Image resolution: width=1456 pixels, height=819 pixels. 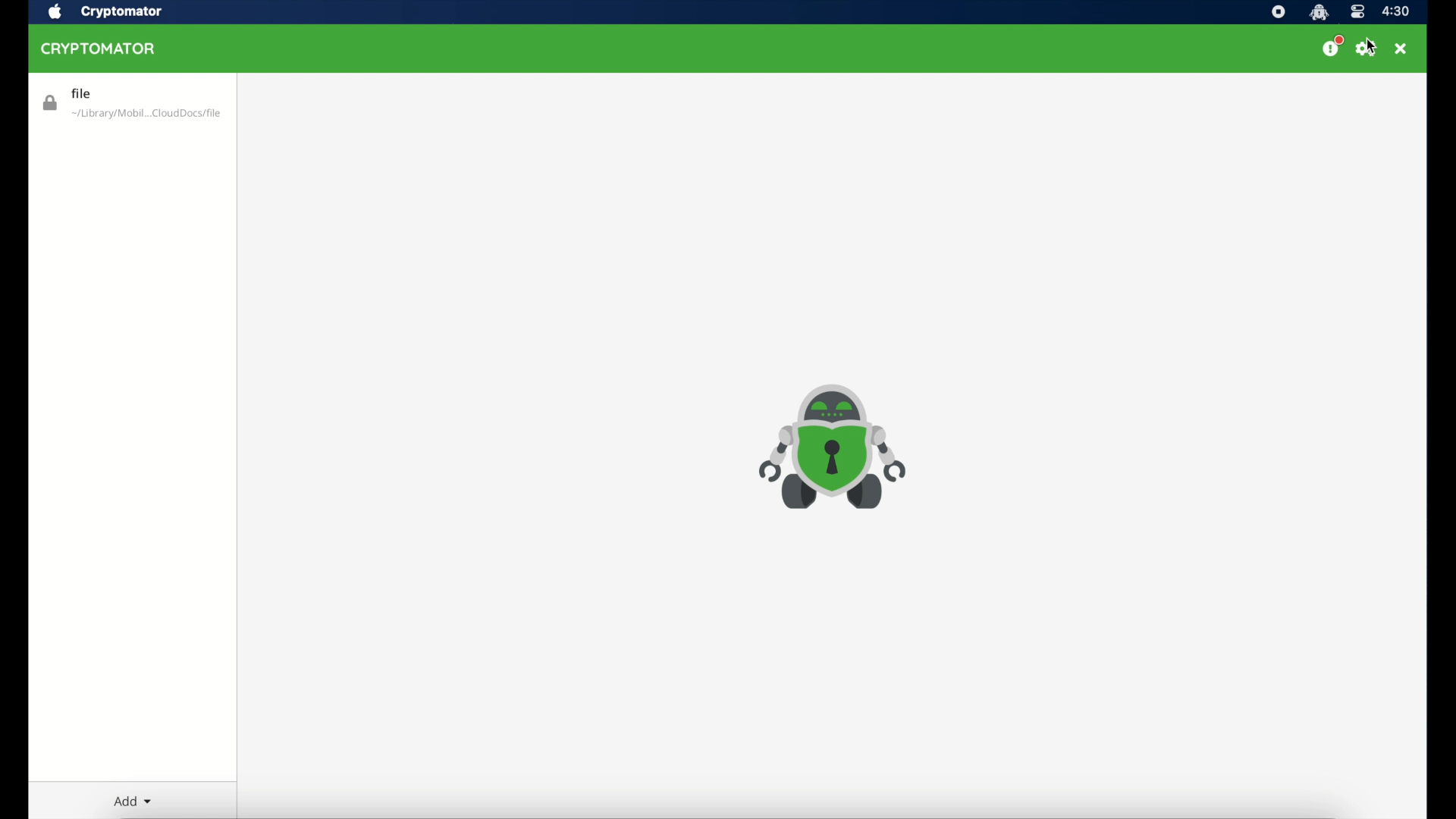 What do you see at coordinates (133, 801) in the screenshot?
I see `add dropdown` at bounding box center [133, 801].